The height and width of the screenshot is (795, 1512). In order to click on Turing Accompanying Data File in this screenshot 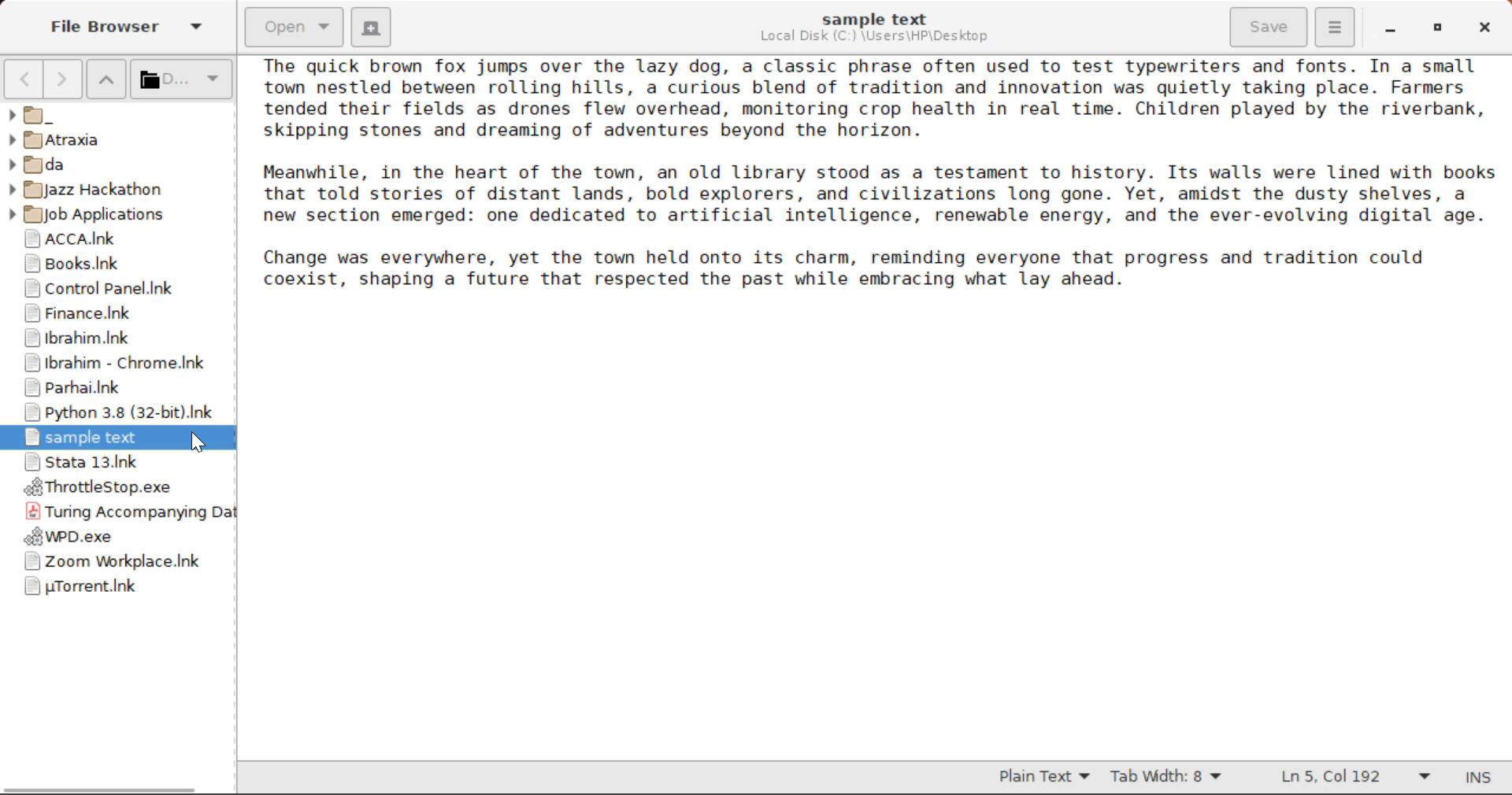, I will do `click(121, 512)`.